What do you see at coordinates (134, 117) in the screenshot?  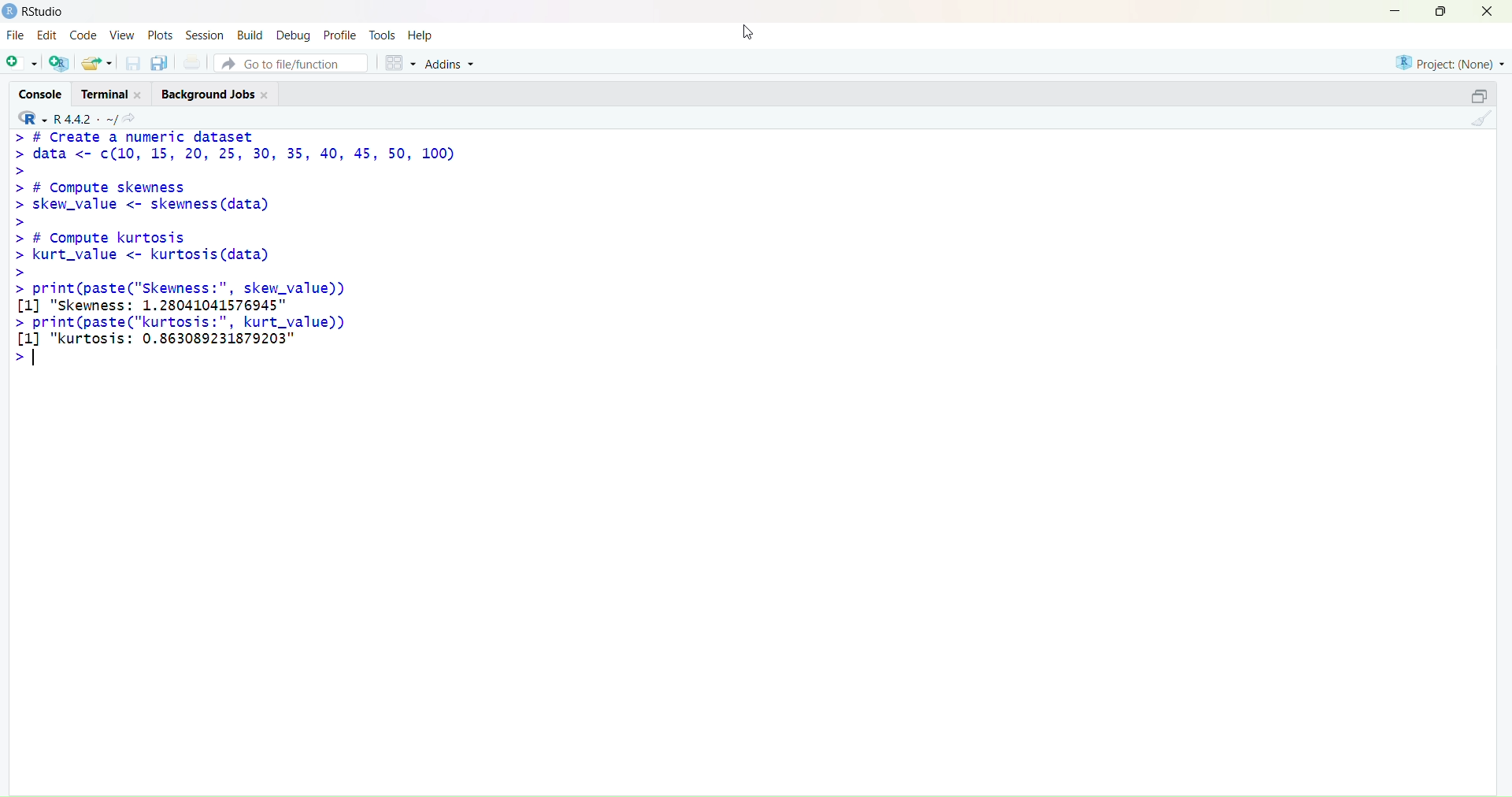 I see `View the current working directory` at bounding box center [134, 117].